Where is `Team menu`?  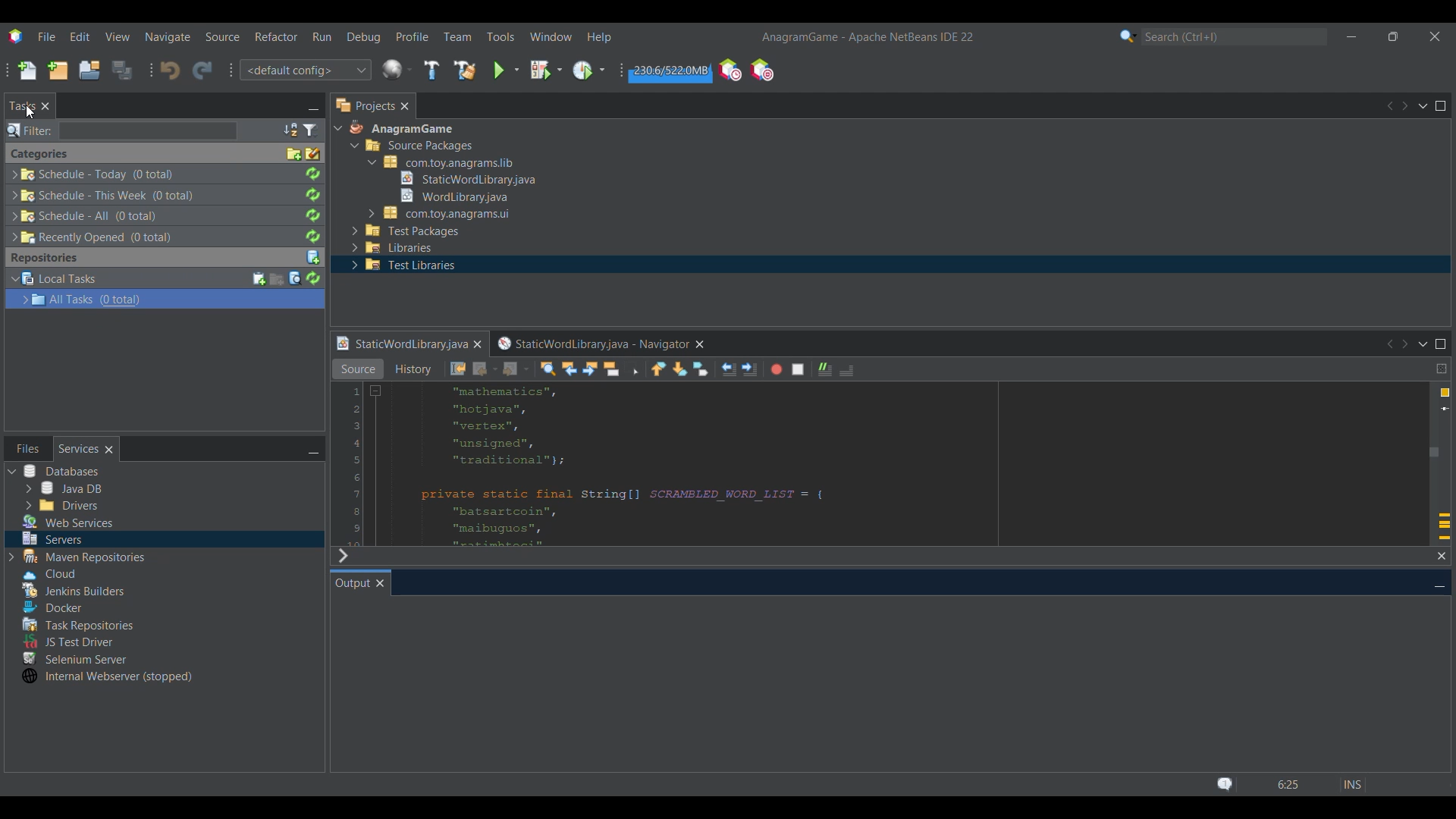 Team menu is located at coordinates (458, 36).